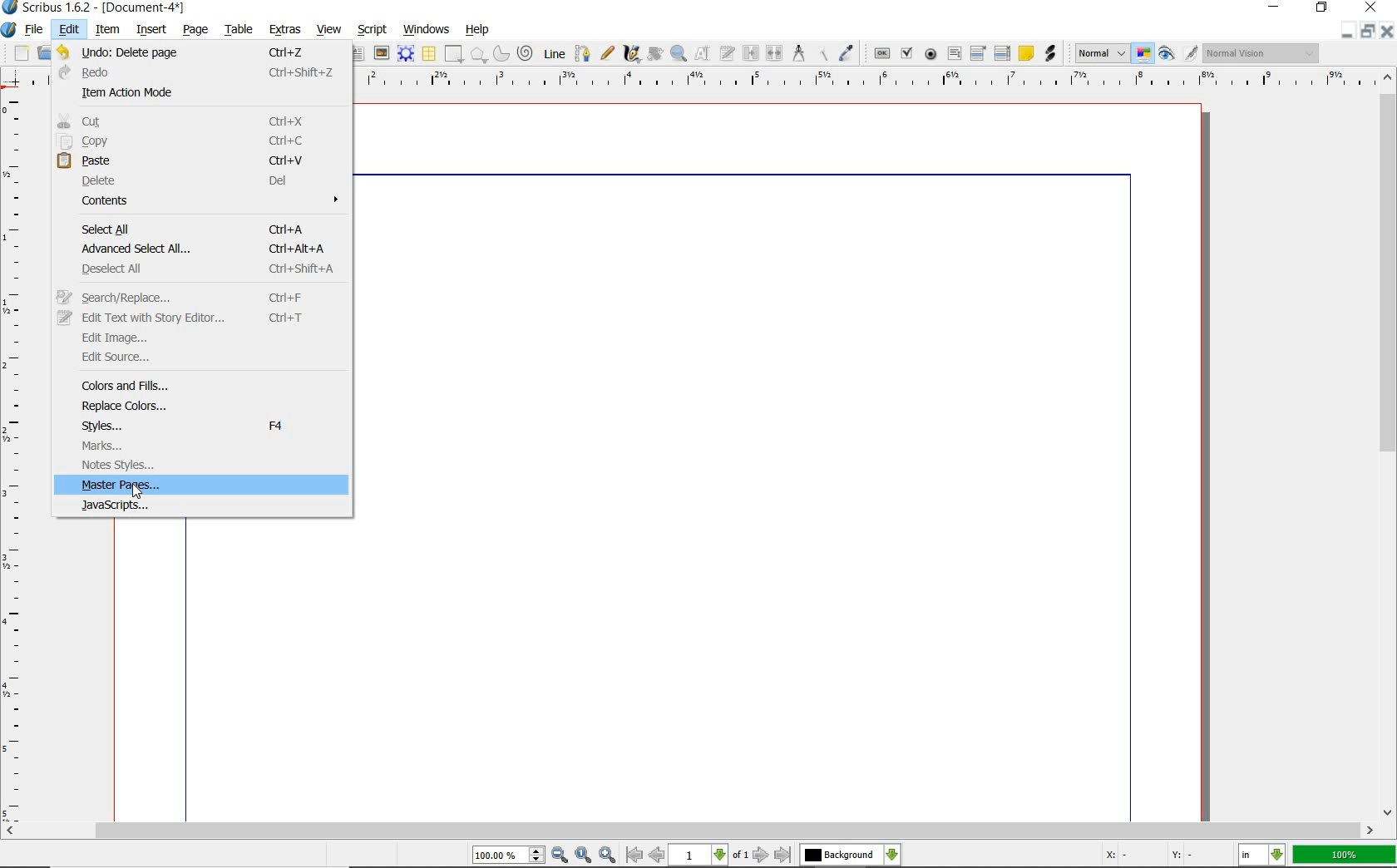 The width and height of the screenshot is (1397, 868). What do you see at coordinates (454, 55) in the screenshot?
I see `shape` at bounding box center [454, 55].